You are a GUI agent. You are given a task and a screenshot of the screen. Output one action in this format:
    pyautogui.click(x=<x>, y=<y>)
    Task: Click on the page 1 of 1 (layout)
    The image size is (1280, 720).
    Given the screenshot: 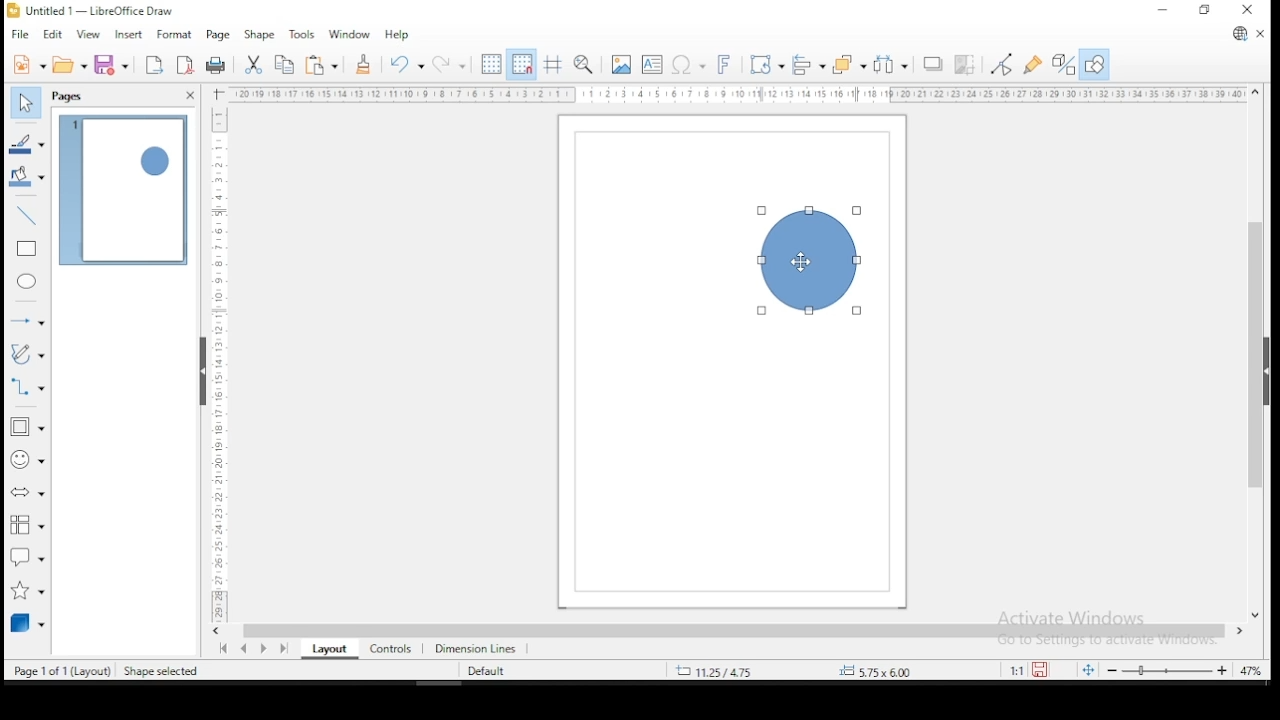 What is the action you would take?
    pyautogui.click(x=63, y=669)
    